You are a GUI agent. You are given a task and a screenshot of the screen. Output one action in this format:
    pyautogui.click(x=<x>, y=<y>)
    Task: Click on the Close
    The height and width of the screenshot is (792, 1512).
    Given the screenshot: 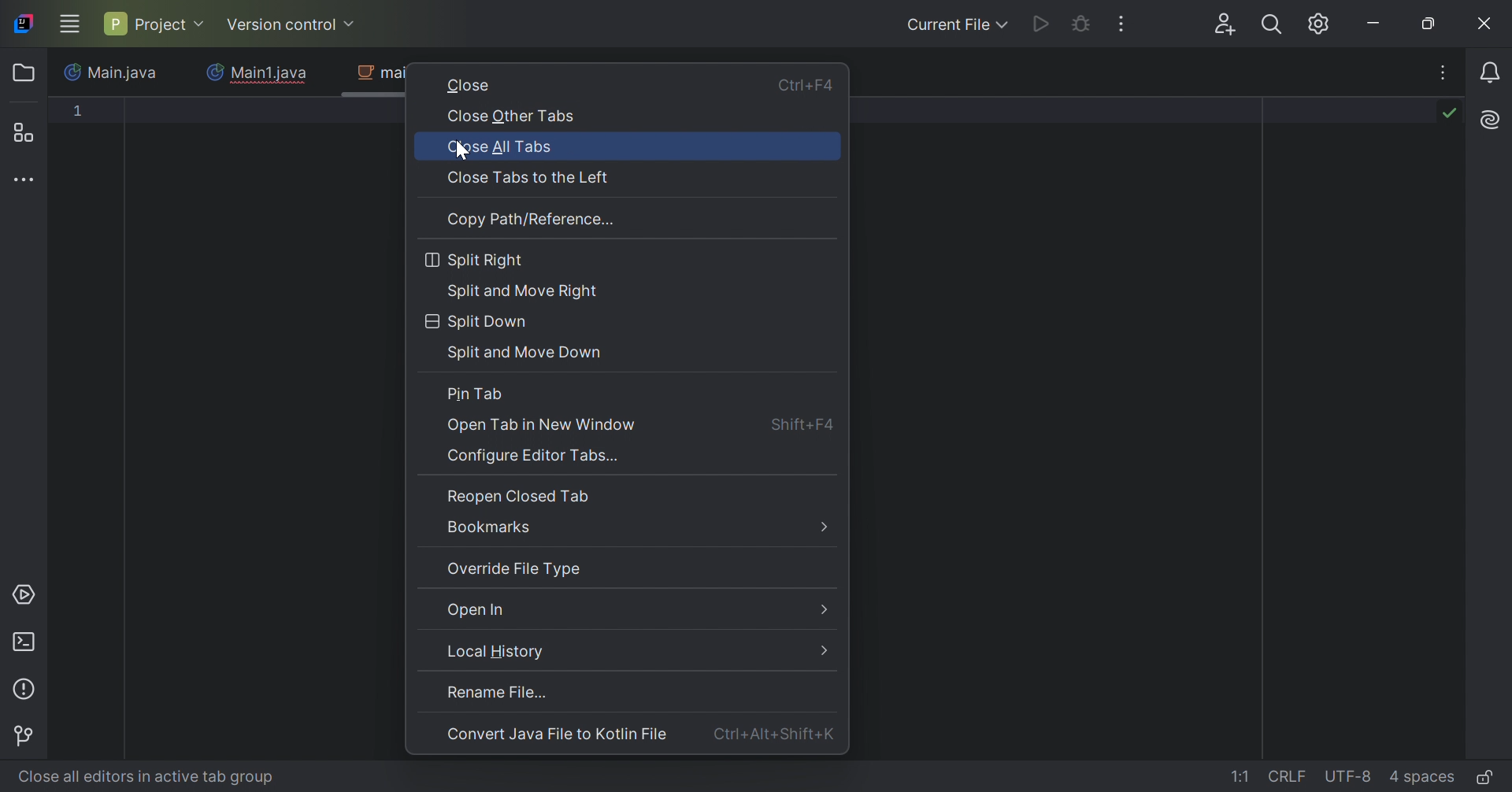 What is the action you would take?
    pyautogui.click(x=470, y=87)
    